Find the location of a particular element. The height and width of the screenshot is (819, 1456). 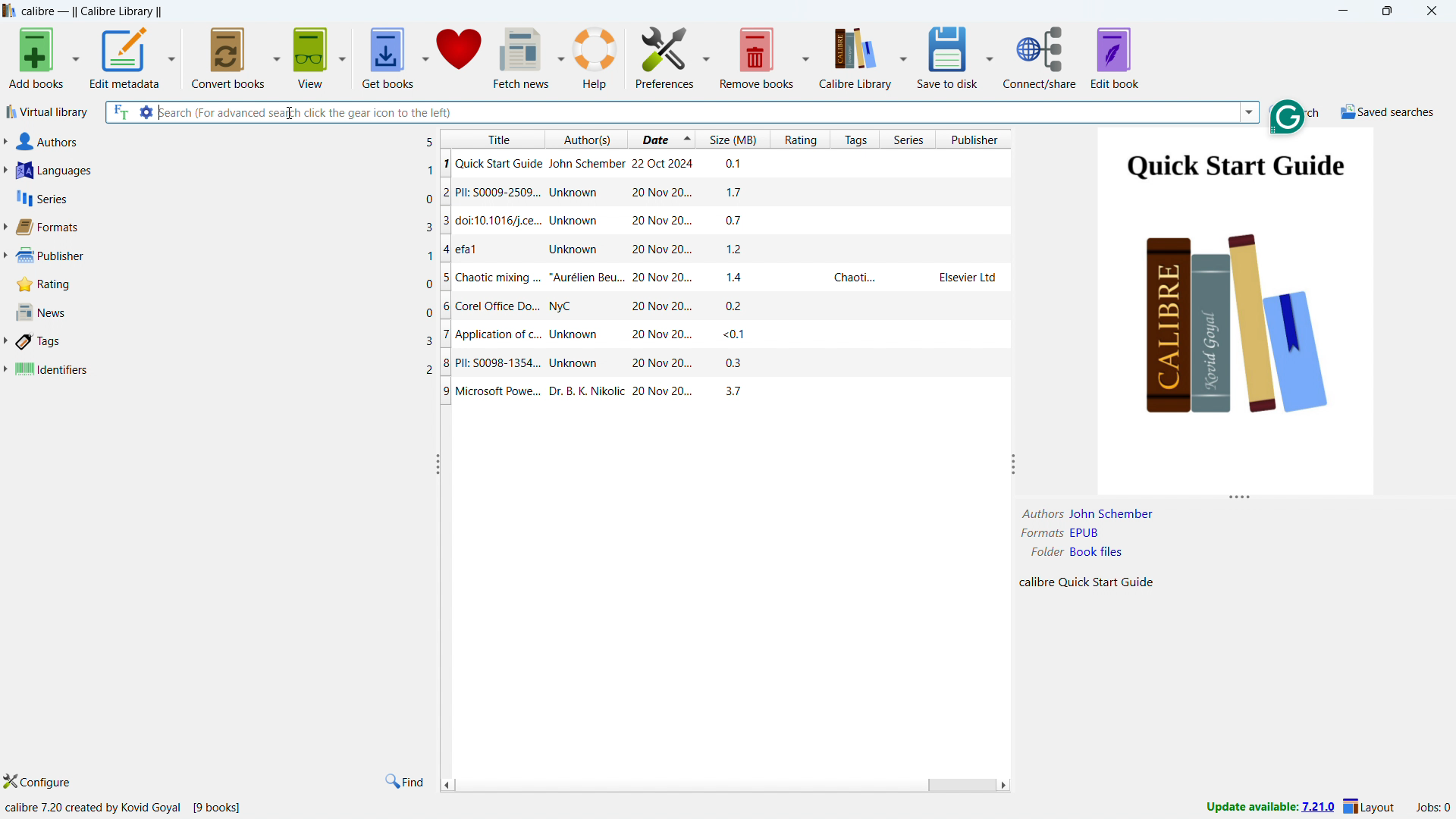

identifiers is located at coordinates (224, 370).